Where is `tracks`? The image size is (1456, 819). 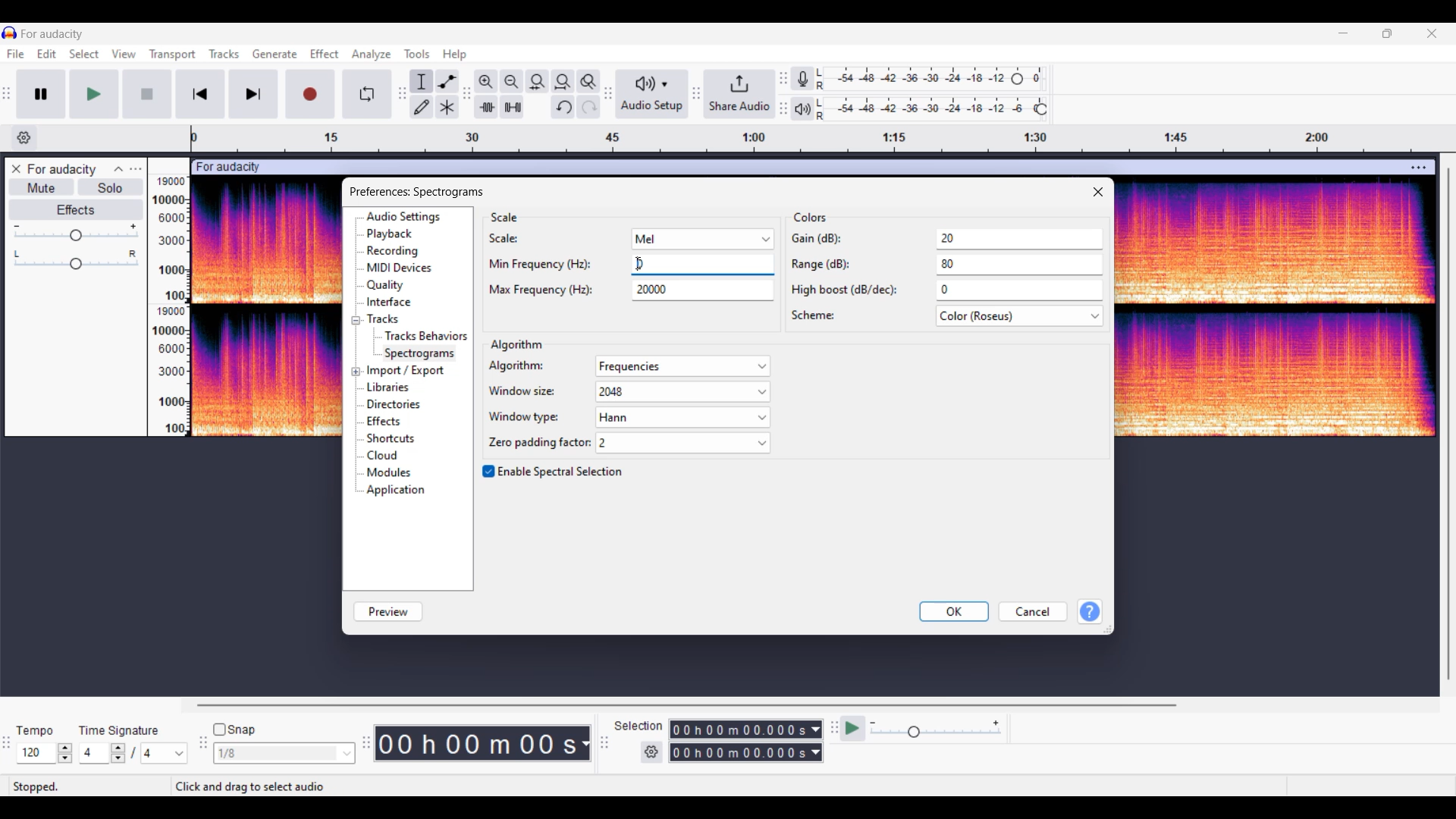
tracks is located at coordinates (387, 319).